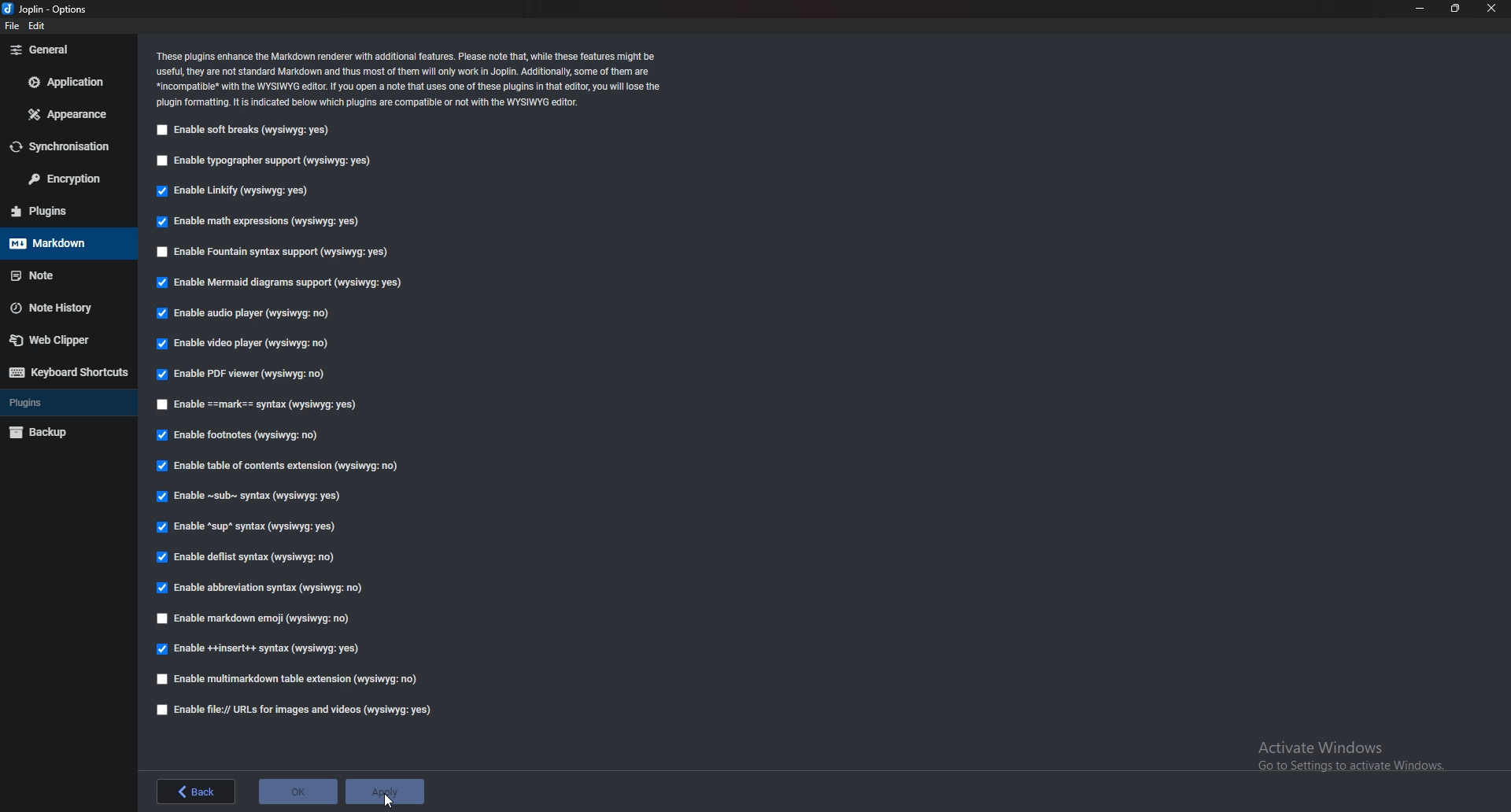  I want to click on apply, so click(384, 791).